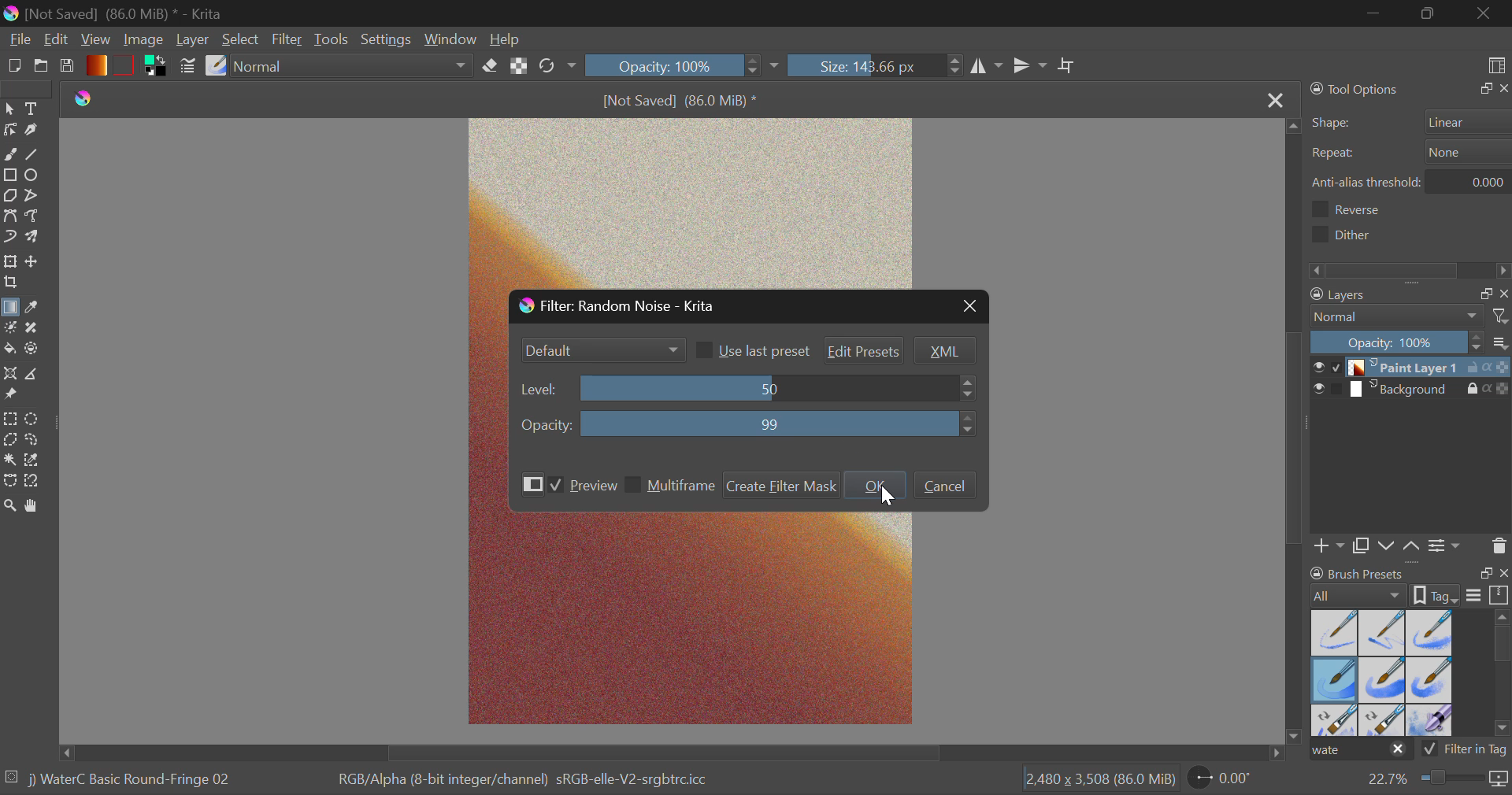 The width and height of the screenshot is (1512, 795). Describe the element at coordinates (506, 37) in the screenshot. I see `Help` at that location.